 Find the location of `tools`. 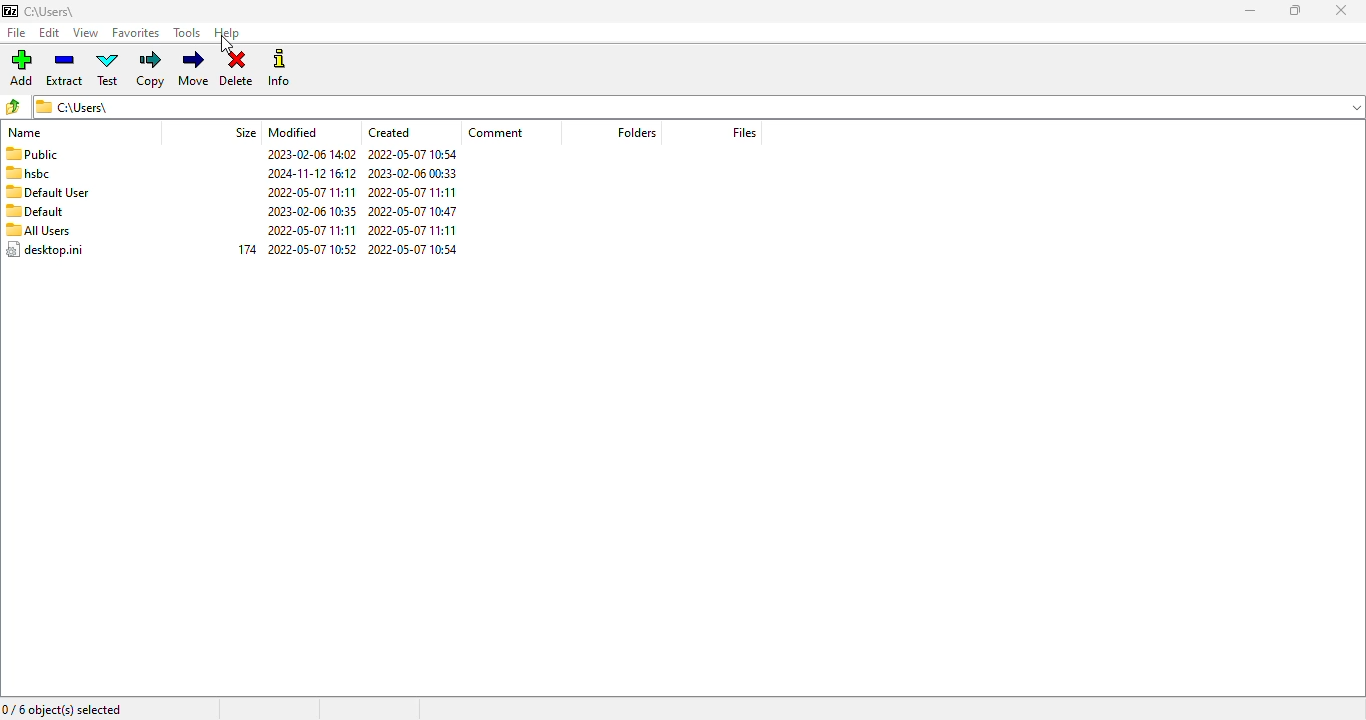

tools is located at coordinates (187, 33).